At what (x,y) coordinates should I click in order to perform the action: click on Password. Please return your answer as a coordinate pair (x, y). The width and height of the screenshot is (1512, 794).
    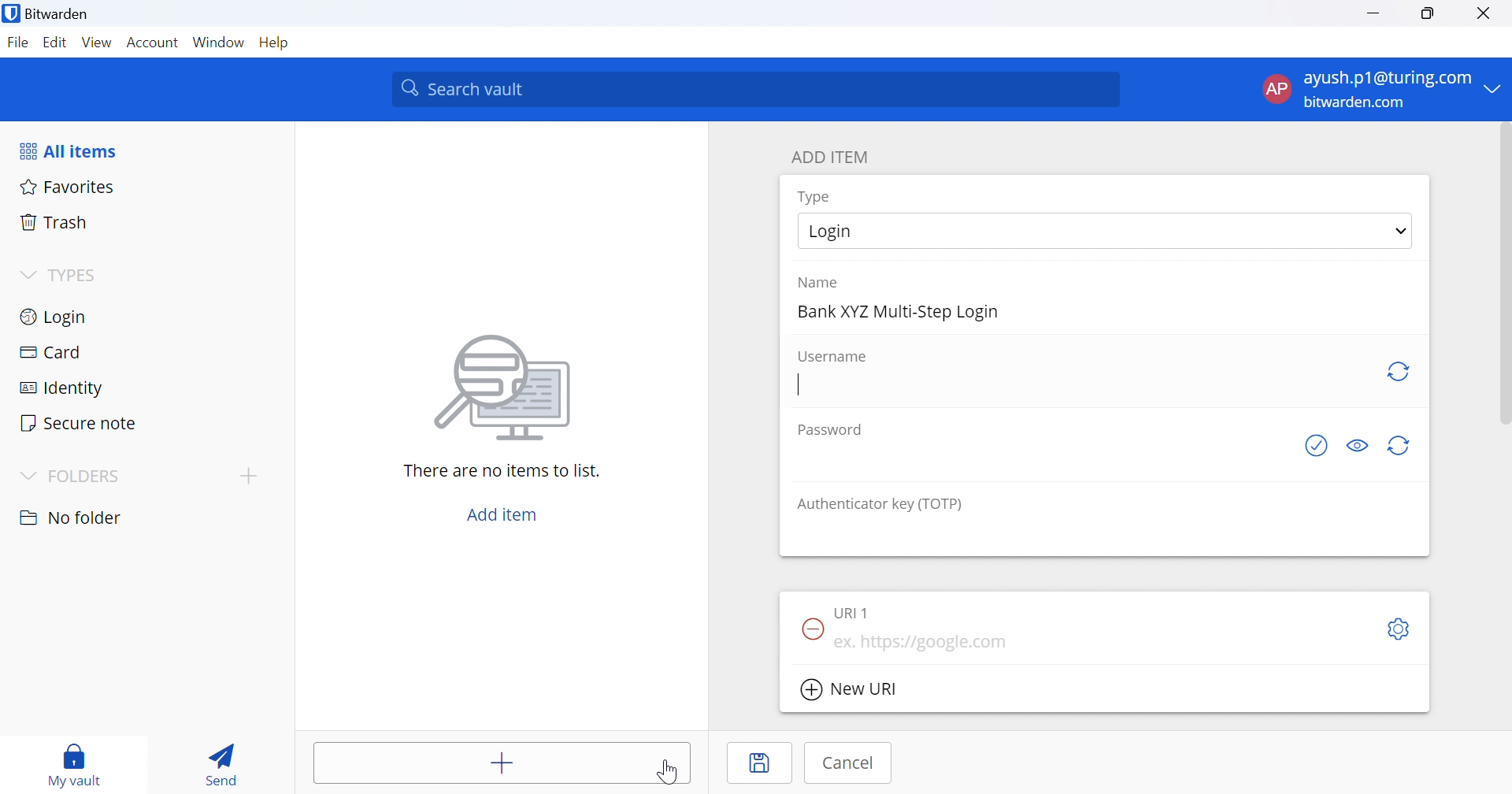
    Looking at the image, I should click on (832, 429).